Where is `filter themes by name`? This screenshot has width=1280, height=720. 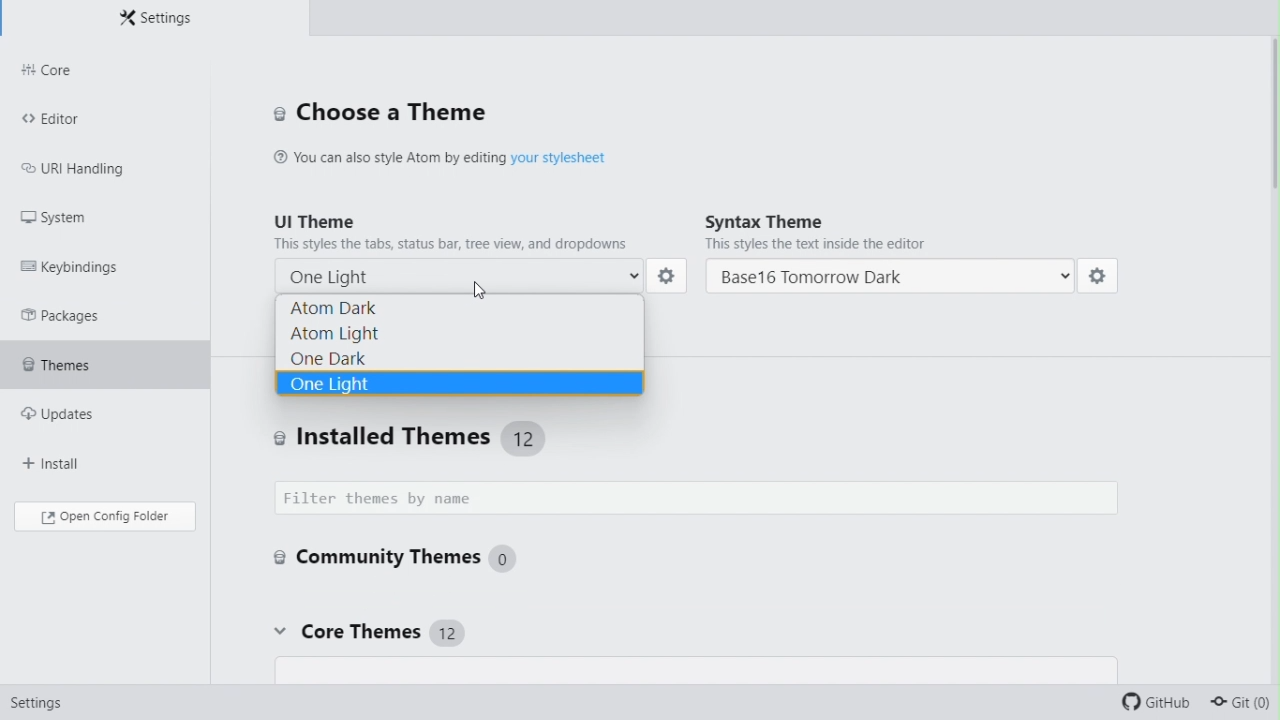 filter themes by name is located at coordinates (703, 499).